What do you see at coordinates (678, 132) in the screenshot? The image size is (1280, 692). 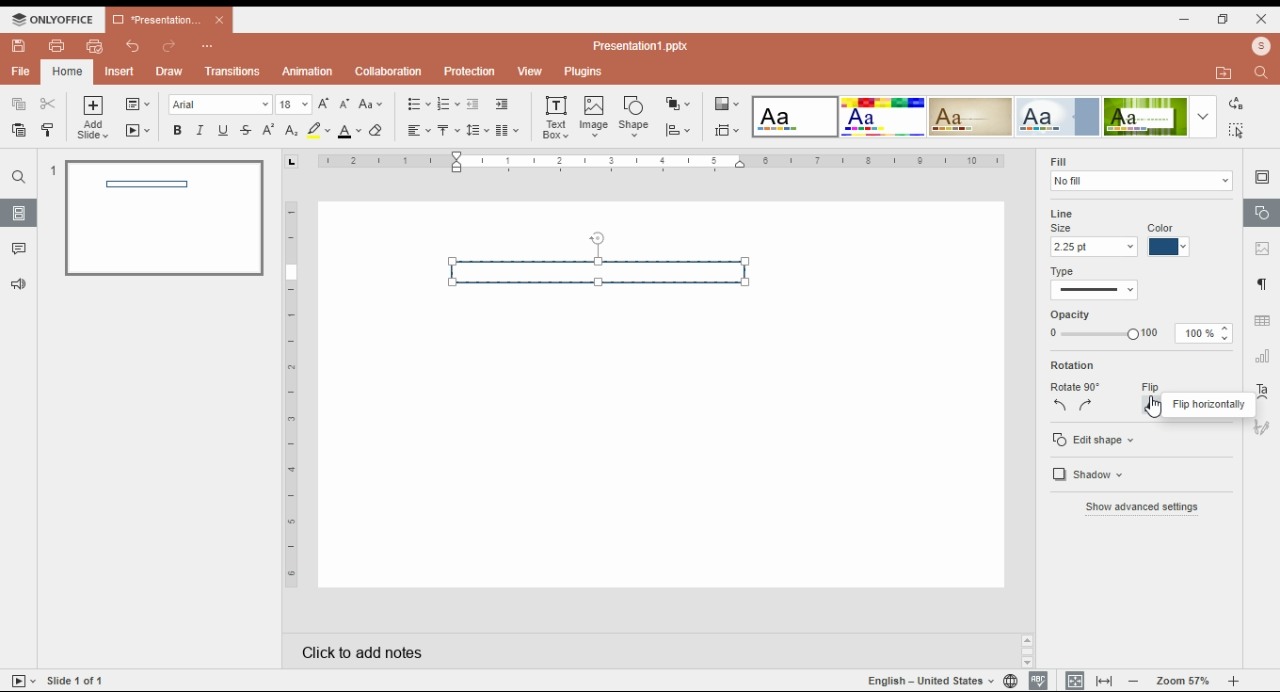 I see `align shapes` at bounding box center [678, 132].